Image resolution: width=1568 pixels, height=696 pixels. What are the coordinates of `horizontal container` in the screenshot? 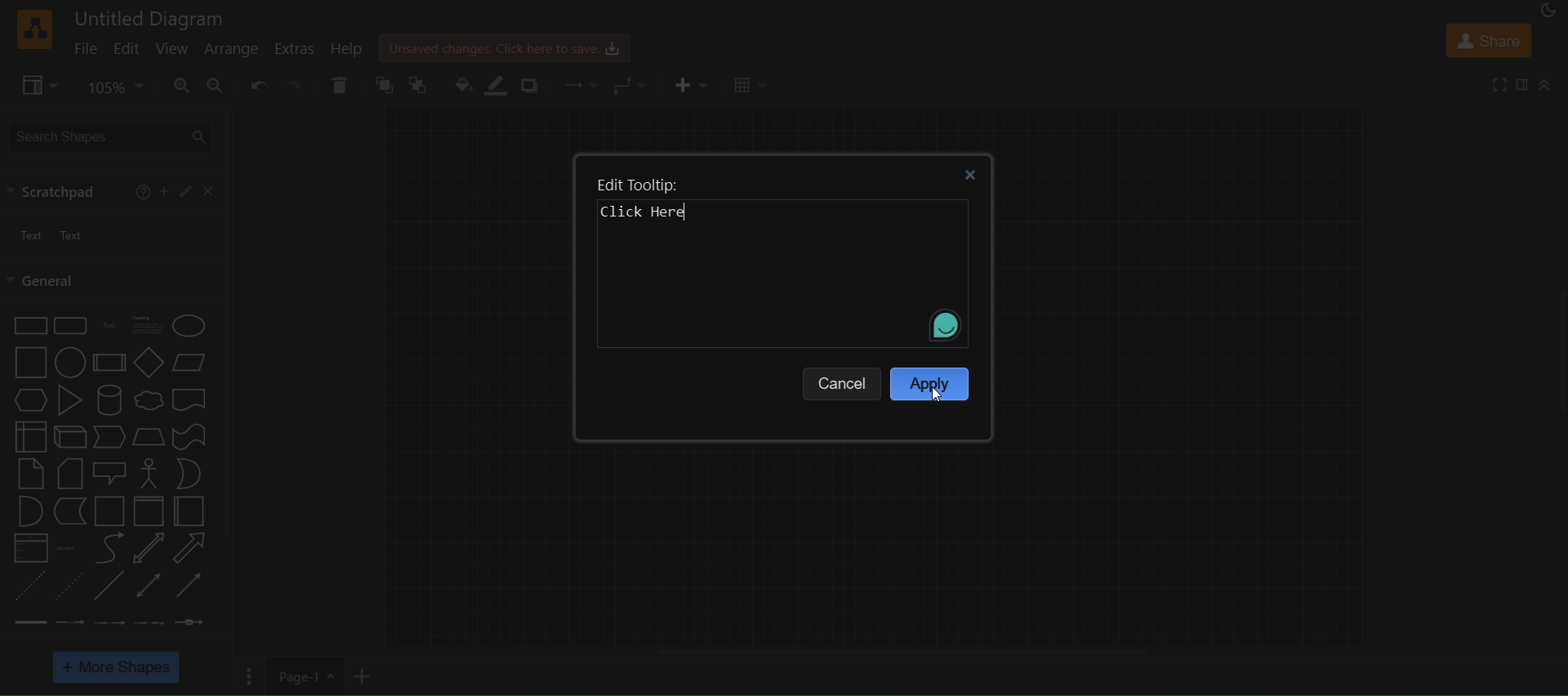 It's located at (192, 511).